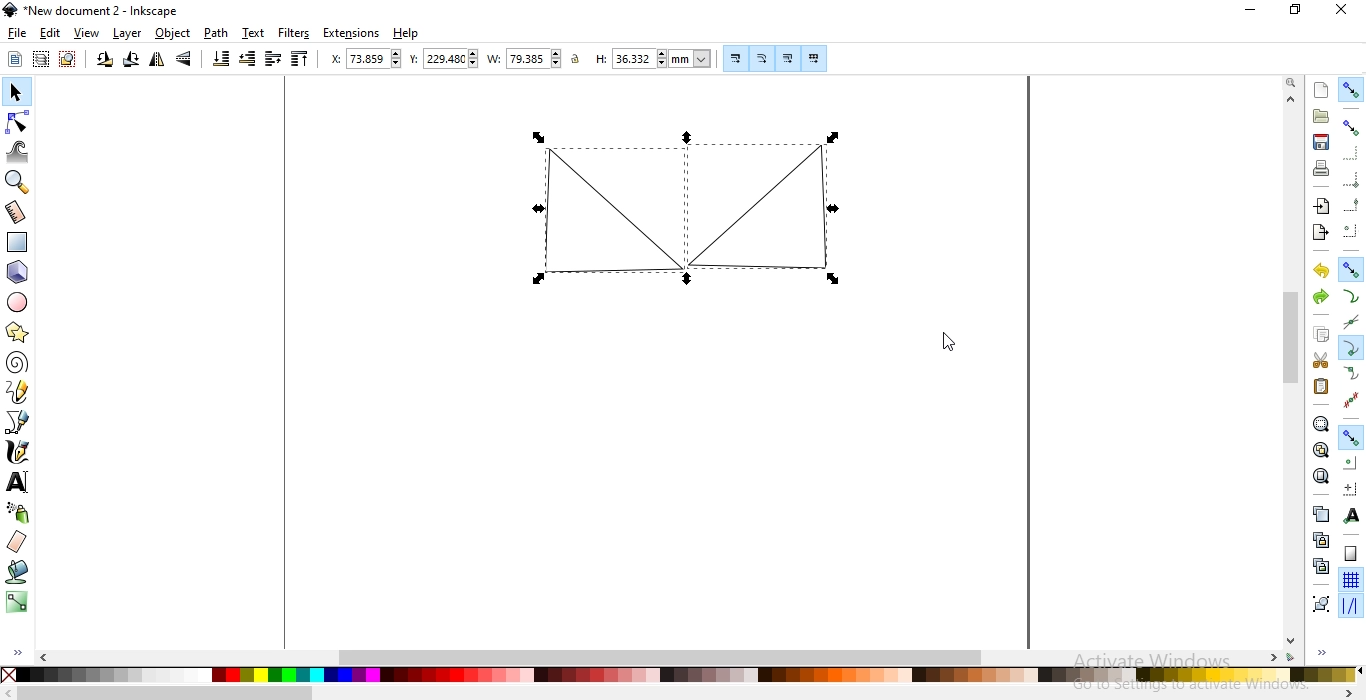 The height and width of the screenshot is (700, 1366). I want to click on snap to grids, so click(1351, 580).